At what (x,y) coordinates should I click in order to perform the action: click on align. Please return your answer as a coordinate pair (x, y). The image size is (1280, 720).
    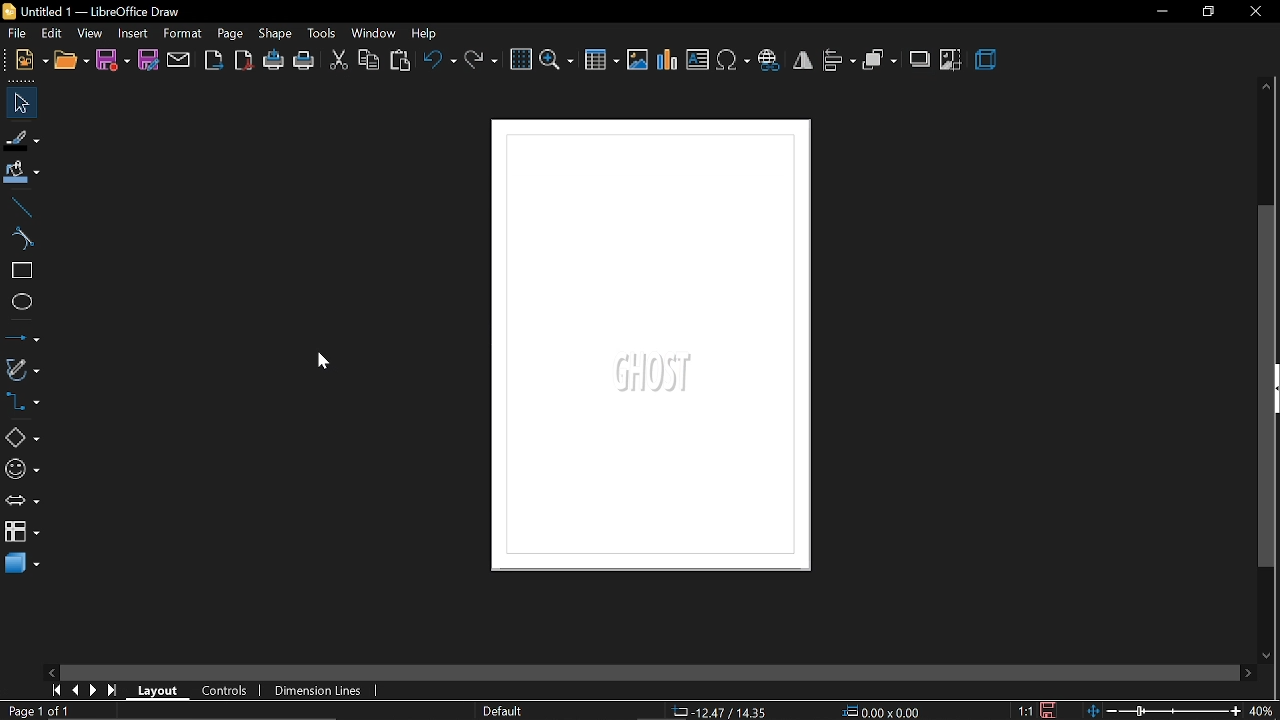
    Looking at the image, I should click on (838, 62).